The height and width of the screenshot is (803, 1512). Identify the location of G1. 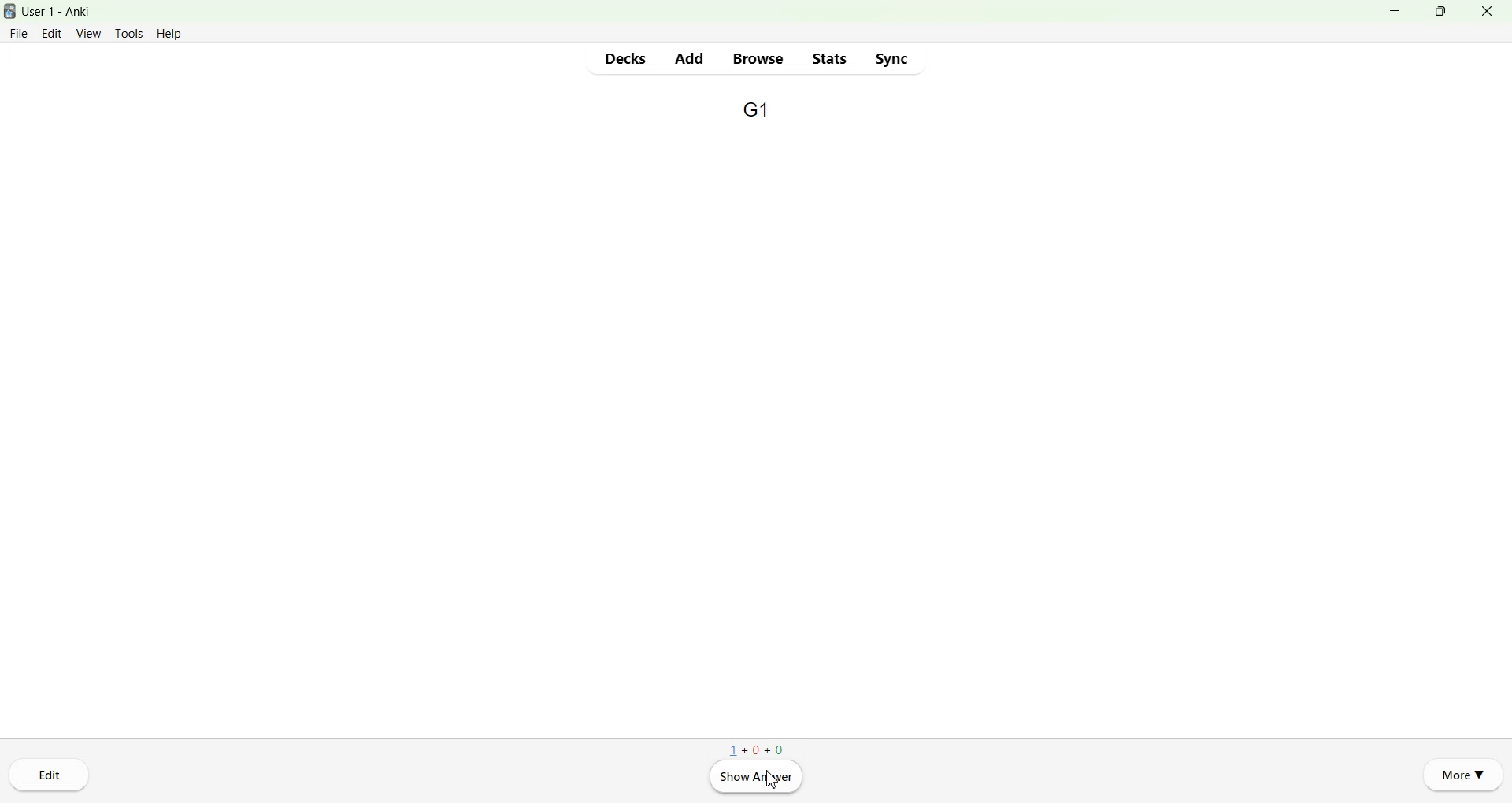
(755, 110).